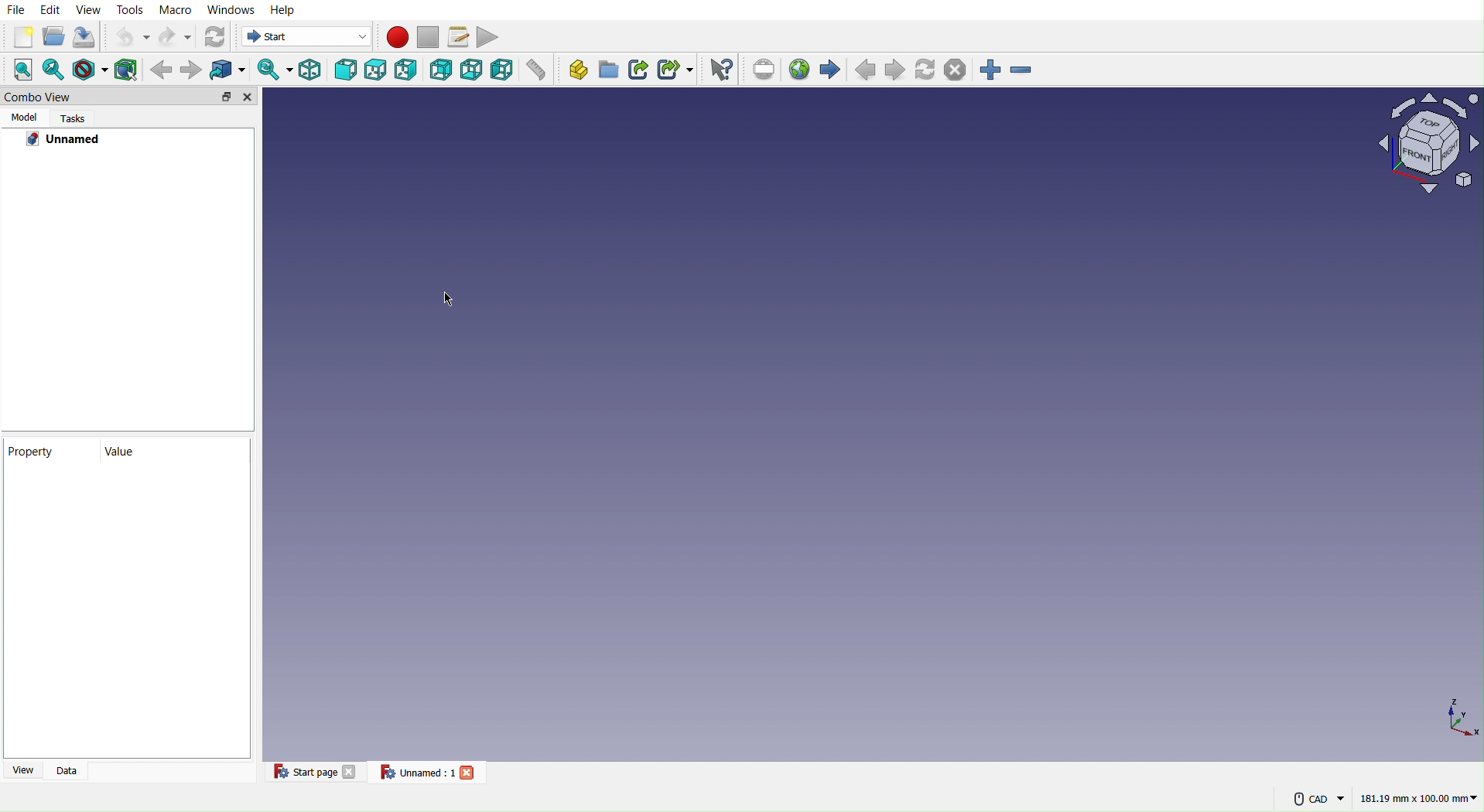 The height and width of the screenshot is (812, 1484). What do you see at coordinates (408, 68) in the screenshot?
I see `Set to right view` at bounding box center [408, 68].